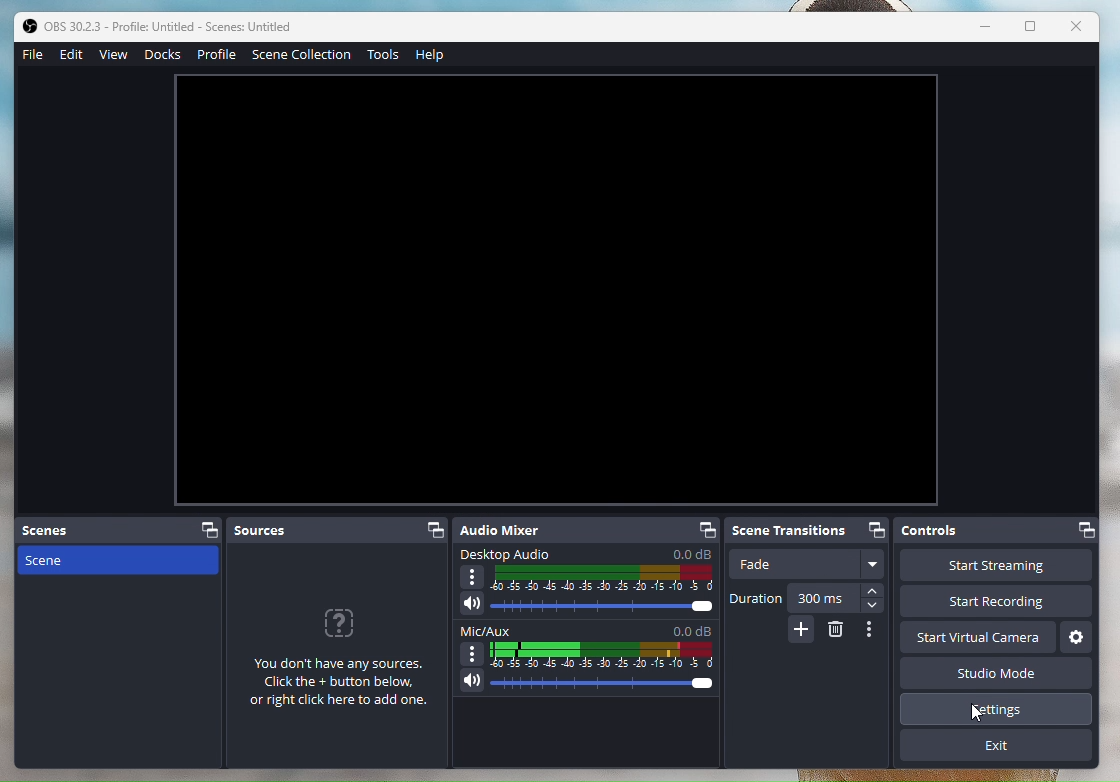 The height and width of the screenshot is (782, 1120). Describe the element at coordinates (556, 291) in the screenshot. I see `Image` at that location.